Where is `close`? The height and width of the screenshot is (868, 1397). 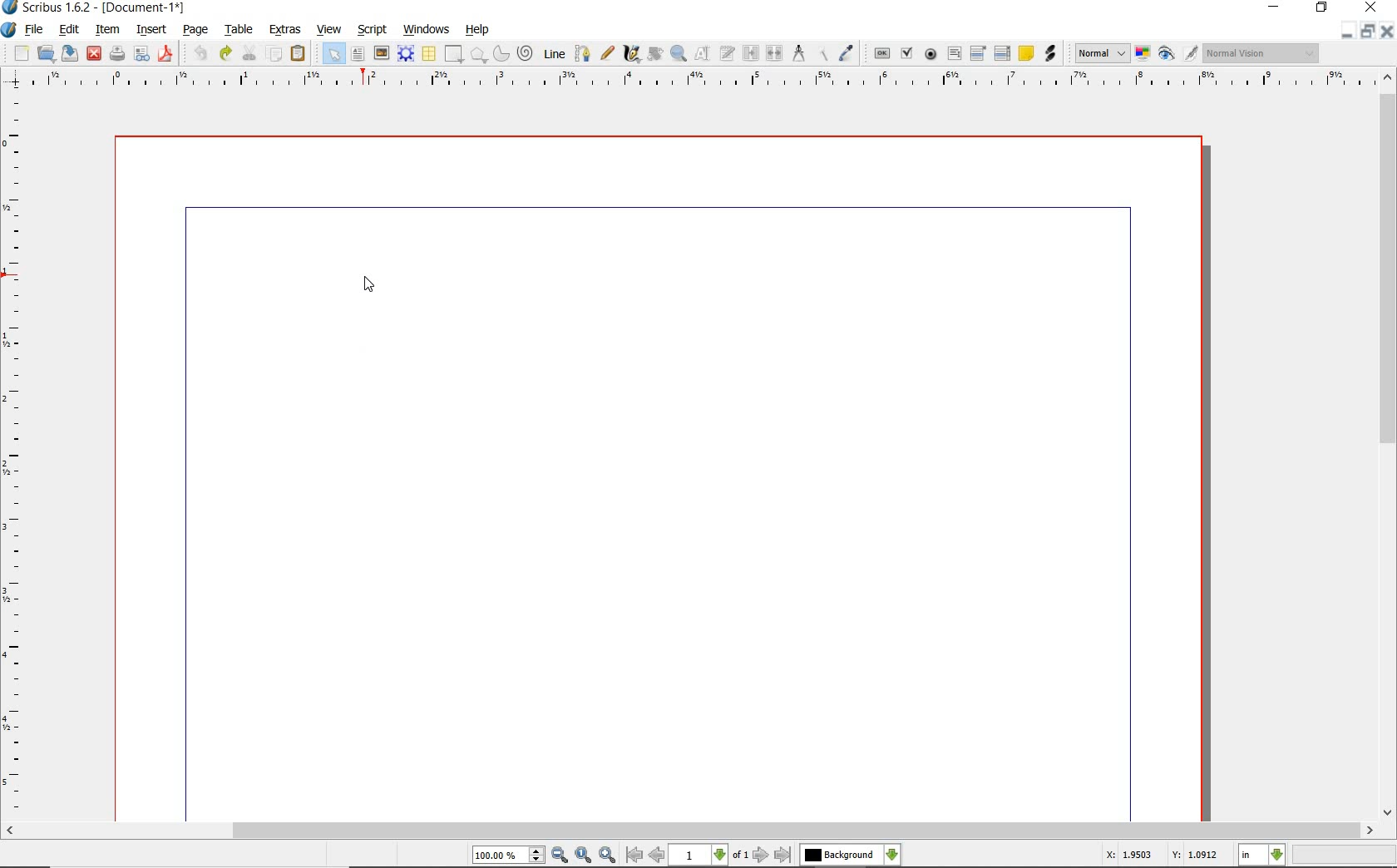
close is located at coordinates (1386, 32).